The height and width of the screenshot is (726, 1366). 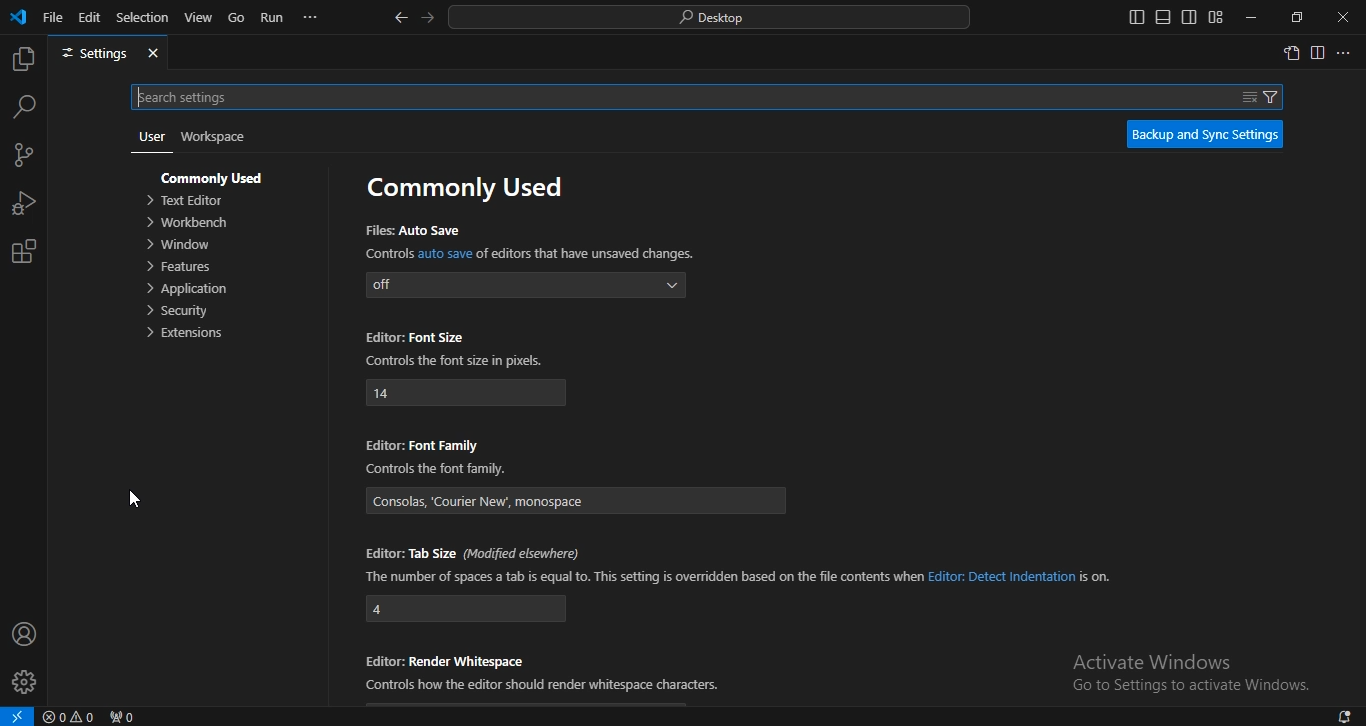 I want to click on run and debug, so click(x=22, y=202).